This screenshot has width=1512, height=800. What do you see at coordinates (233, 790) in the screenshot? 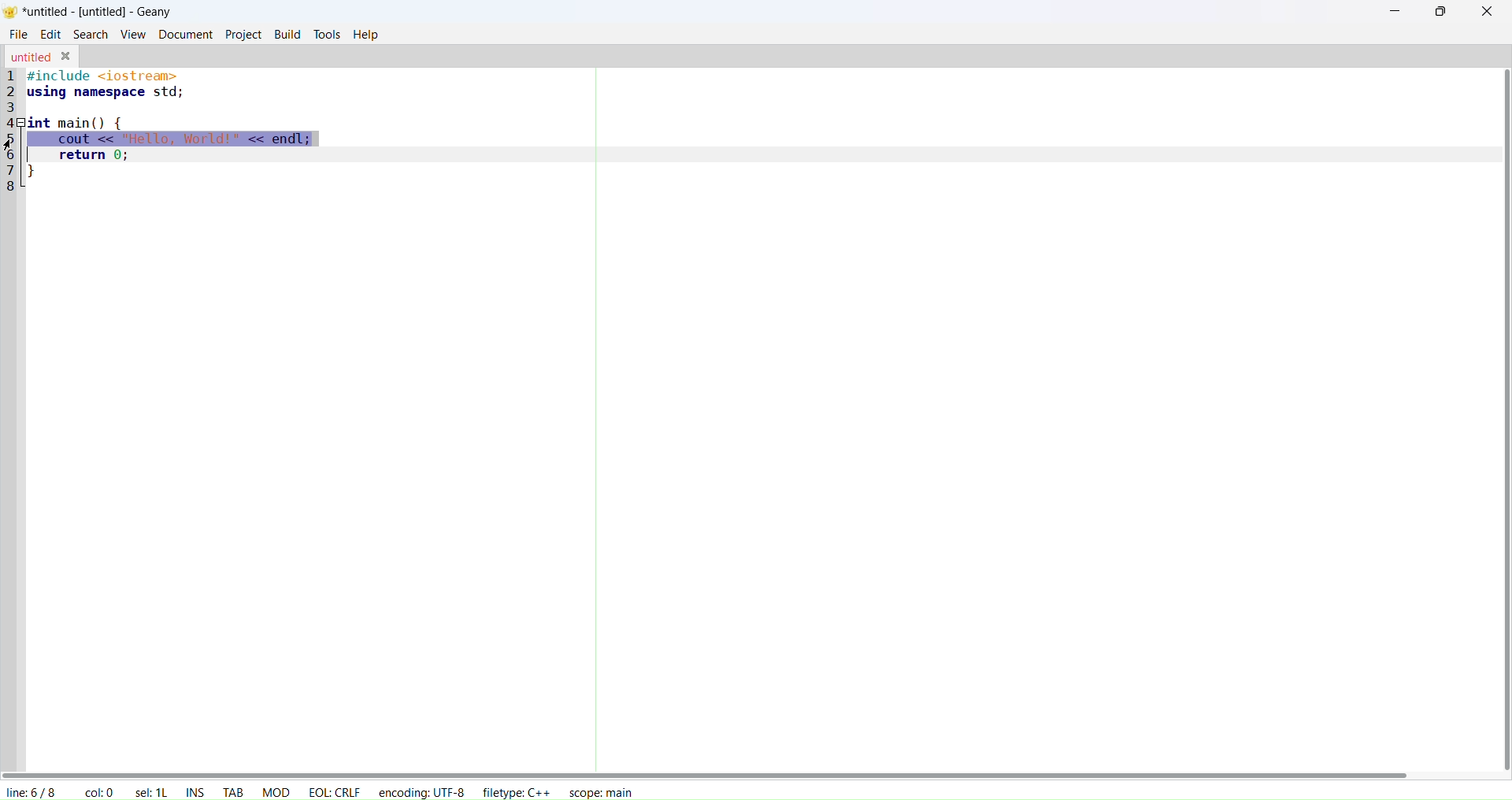
I see `tab` at bounding box center [233, 790].